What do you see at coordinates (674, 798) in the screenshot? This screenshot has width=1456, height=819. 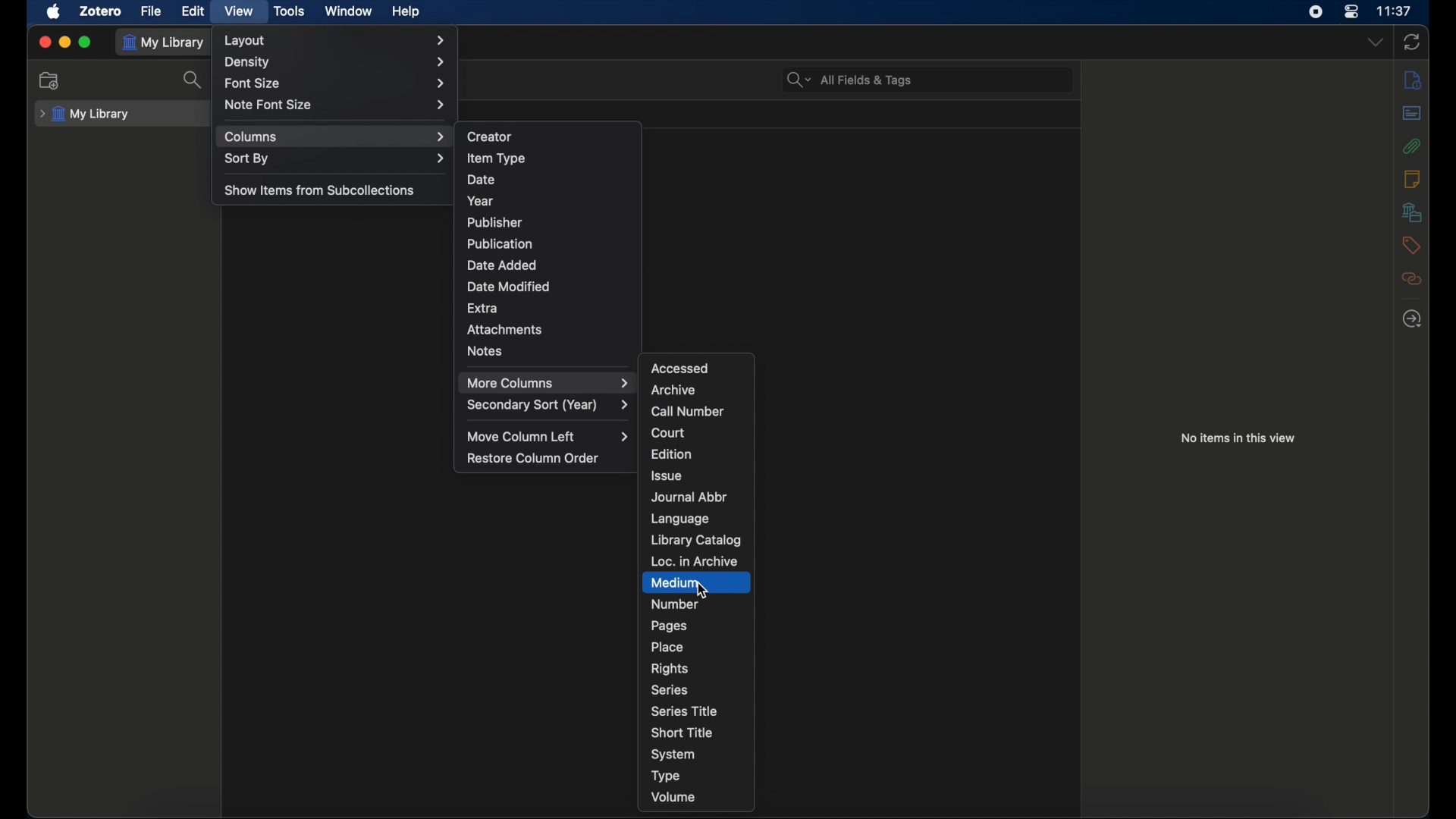 I see `volume` at bounding box center [674, 798].